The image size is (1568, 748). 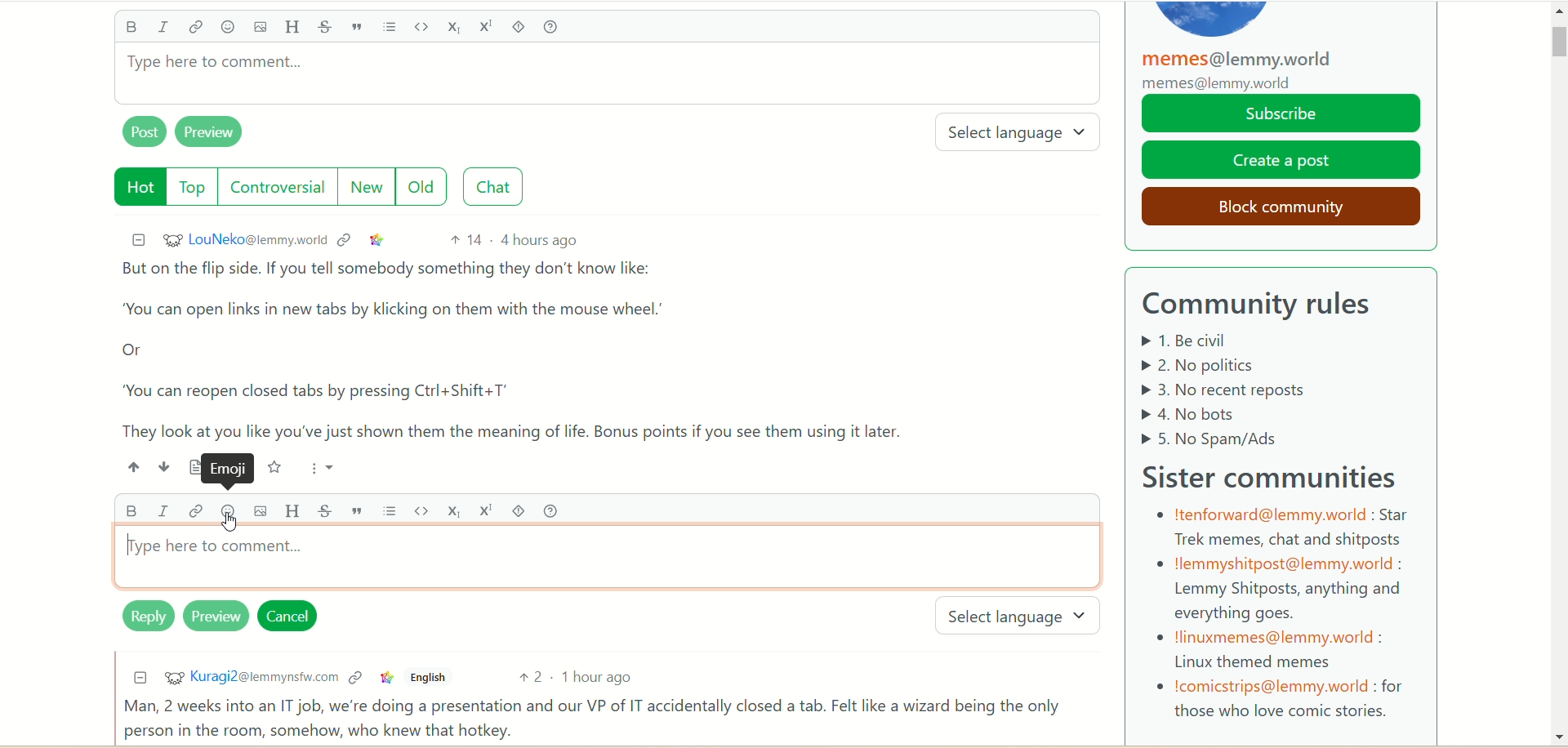 What do you see at coordinates (452, 508) in the screenshot?
I see `subscript` at bounding box center [452, 508].